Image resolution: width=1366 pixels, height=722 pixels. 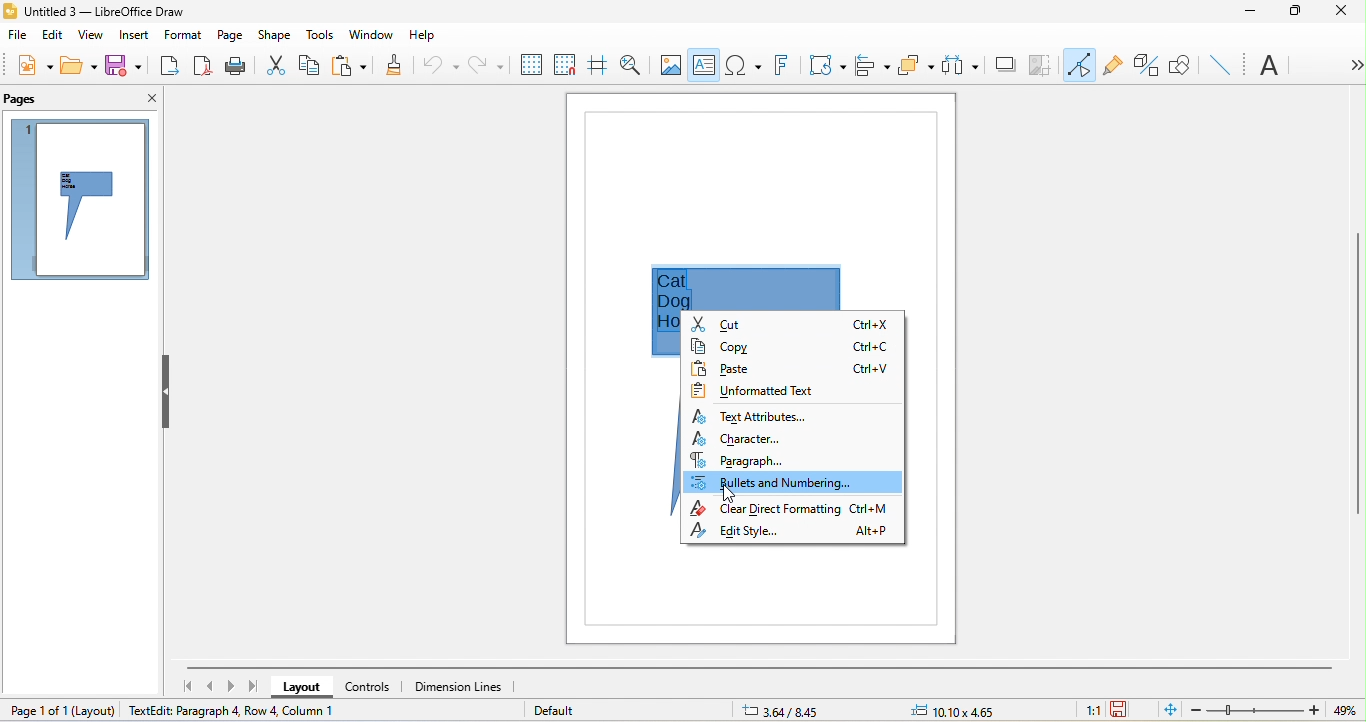 What do you see at coordinates (779, 67) in the screenshot?
I see `fontwork text` at bounding box center [779, 67].